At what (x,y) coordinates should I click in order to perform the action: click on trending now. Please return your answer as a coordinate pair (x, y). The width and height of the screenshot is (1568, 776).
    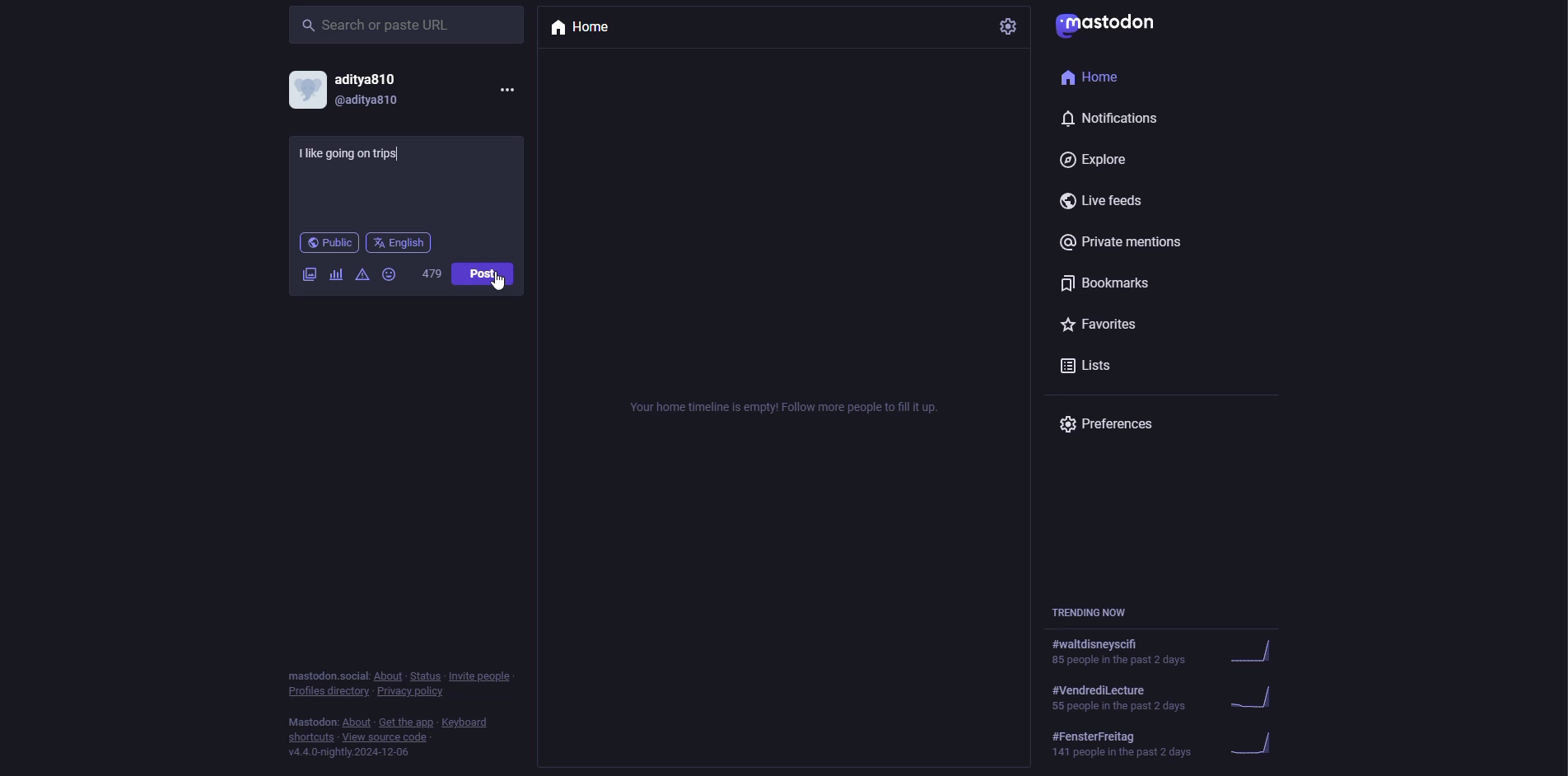
    Looking at the image, I should click on (1095, 610).